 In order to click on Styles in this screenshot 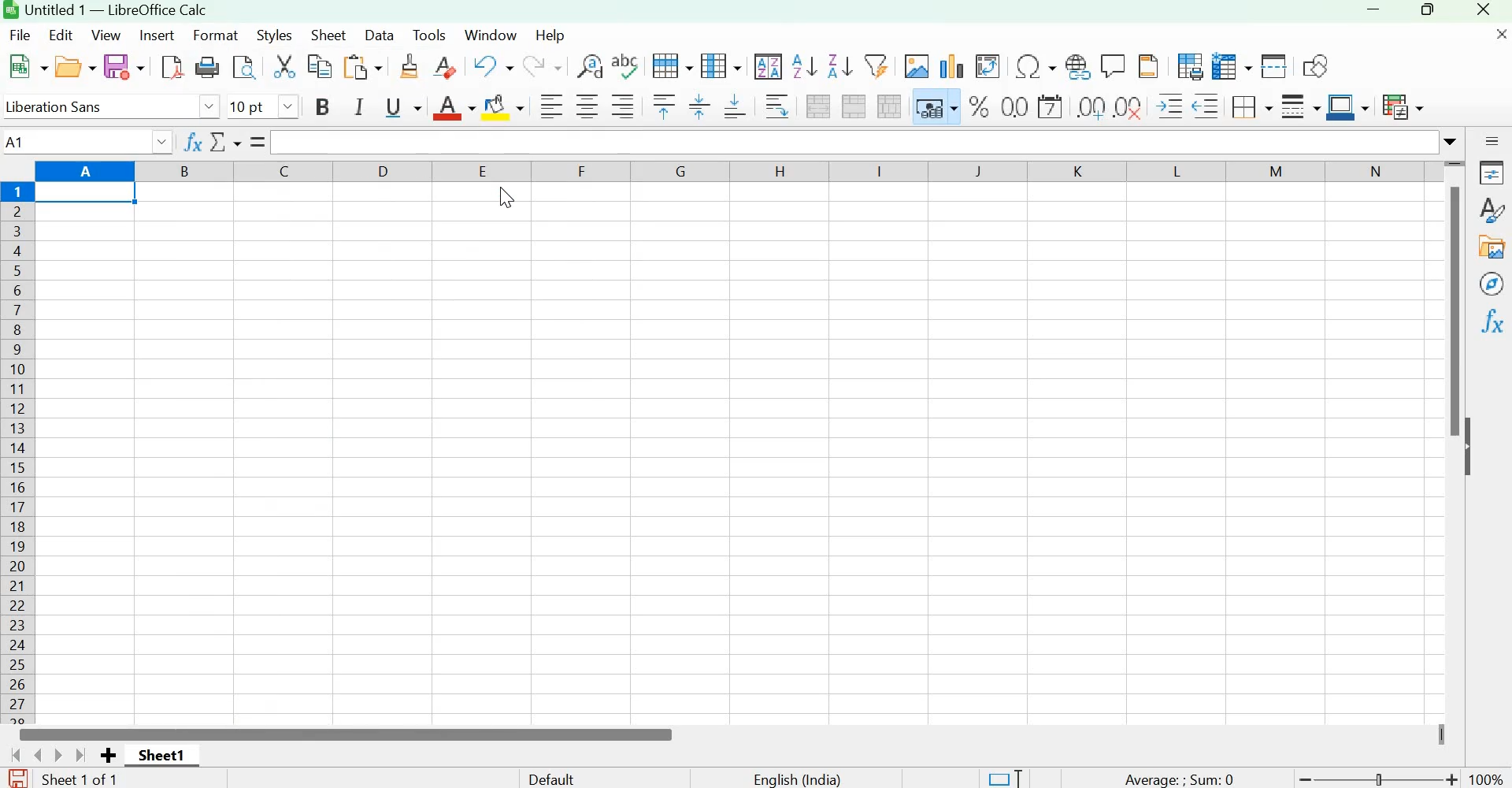, I will do `click(1492, 210)`.